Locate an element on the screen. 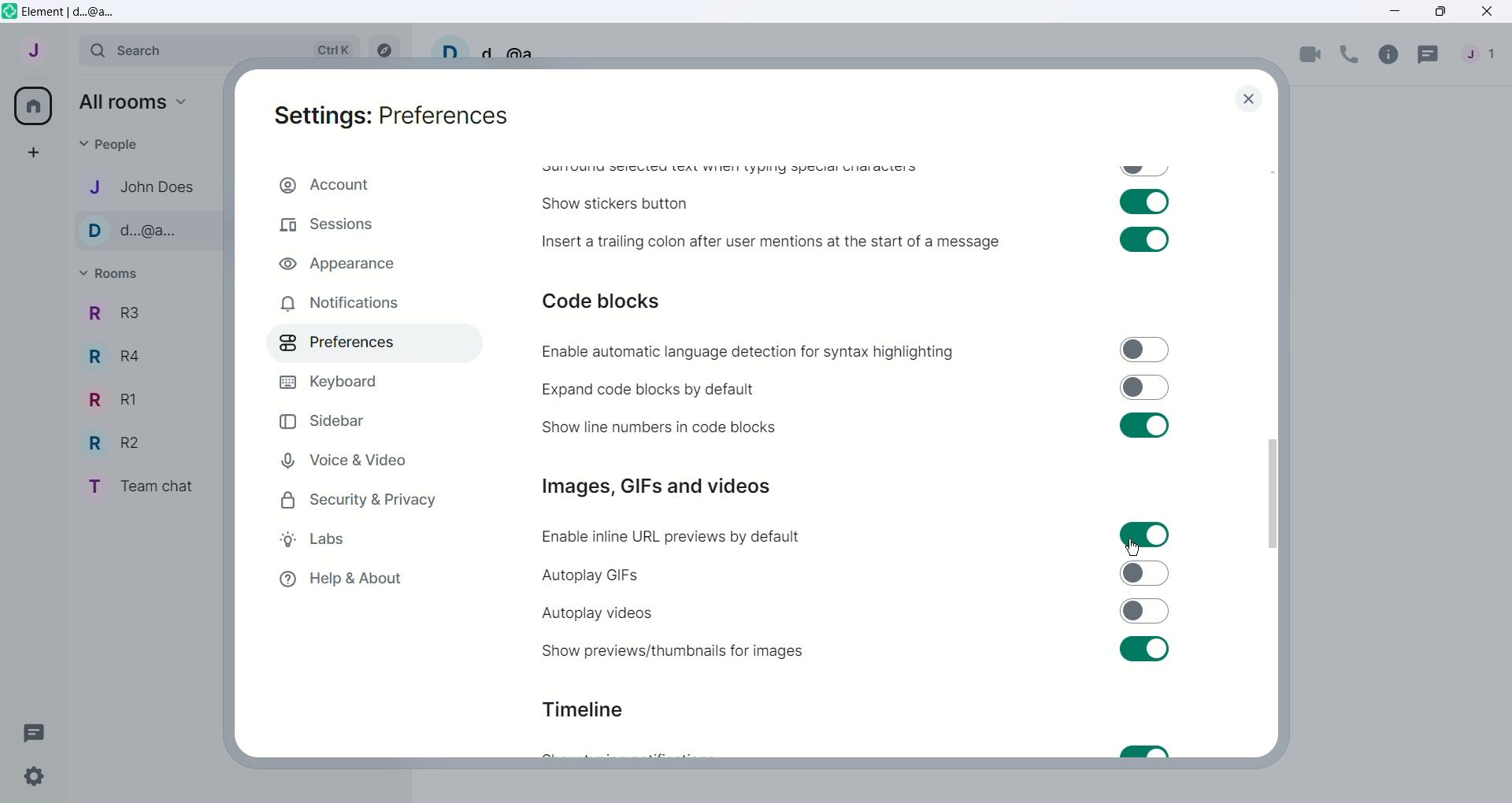 The image size is (1512, 803). Video call is located at coordinates (1310, 56).